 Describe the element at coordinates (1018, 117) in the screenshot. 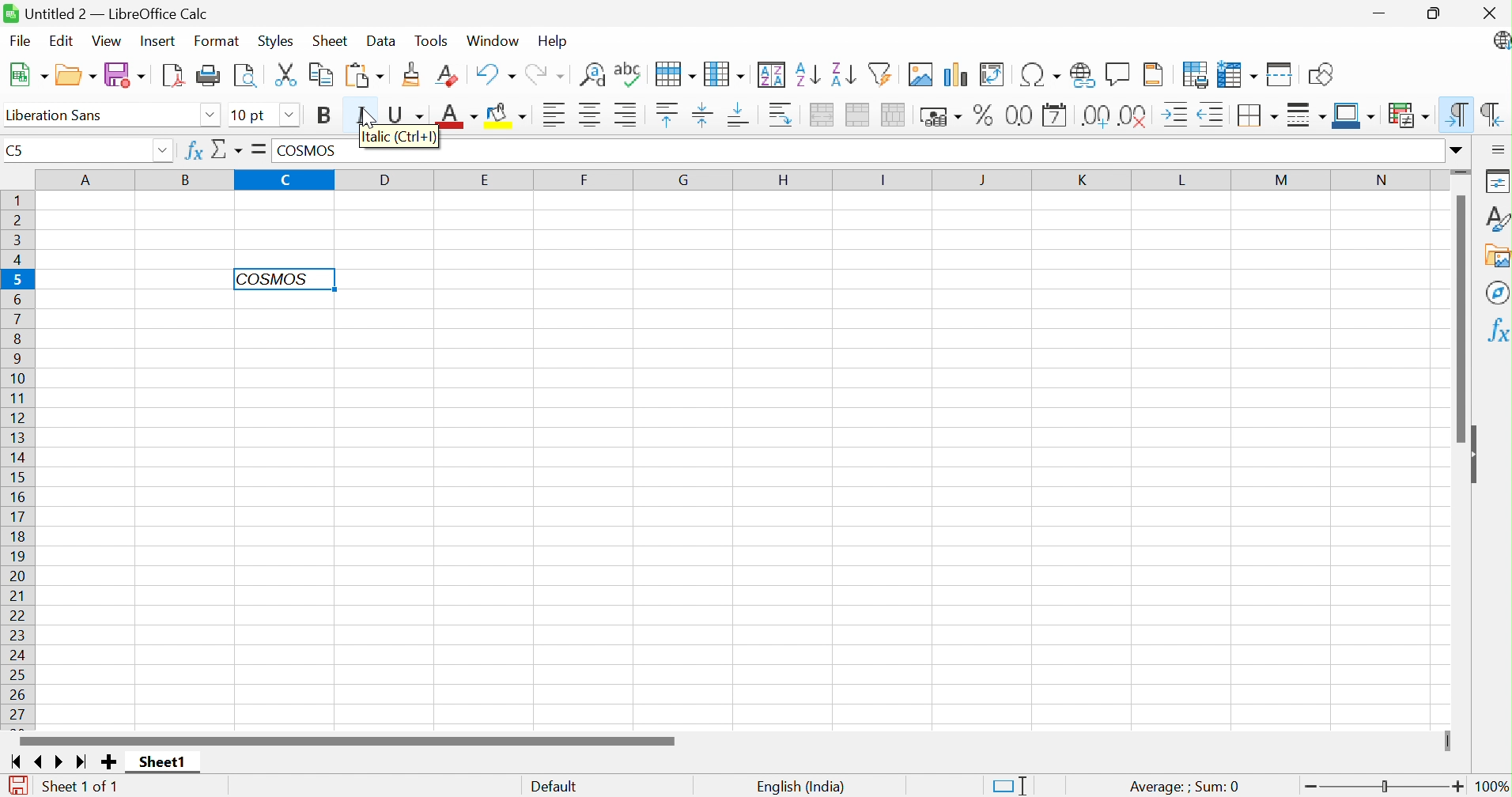

I see `Format as number` at that location.